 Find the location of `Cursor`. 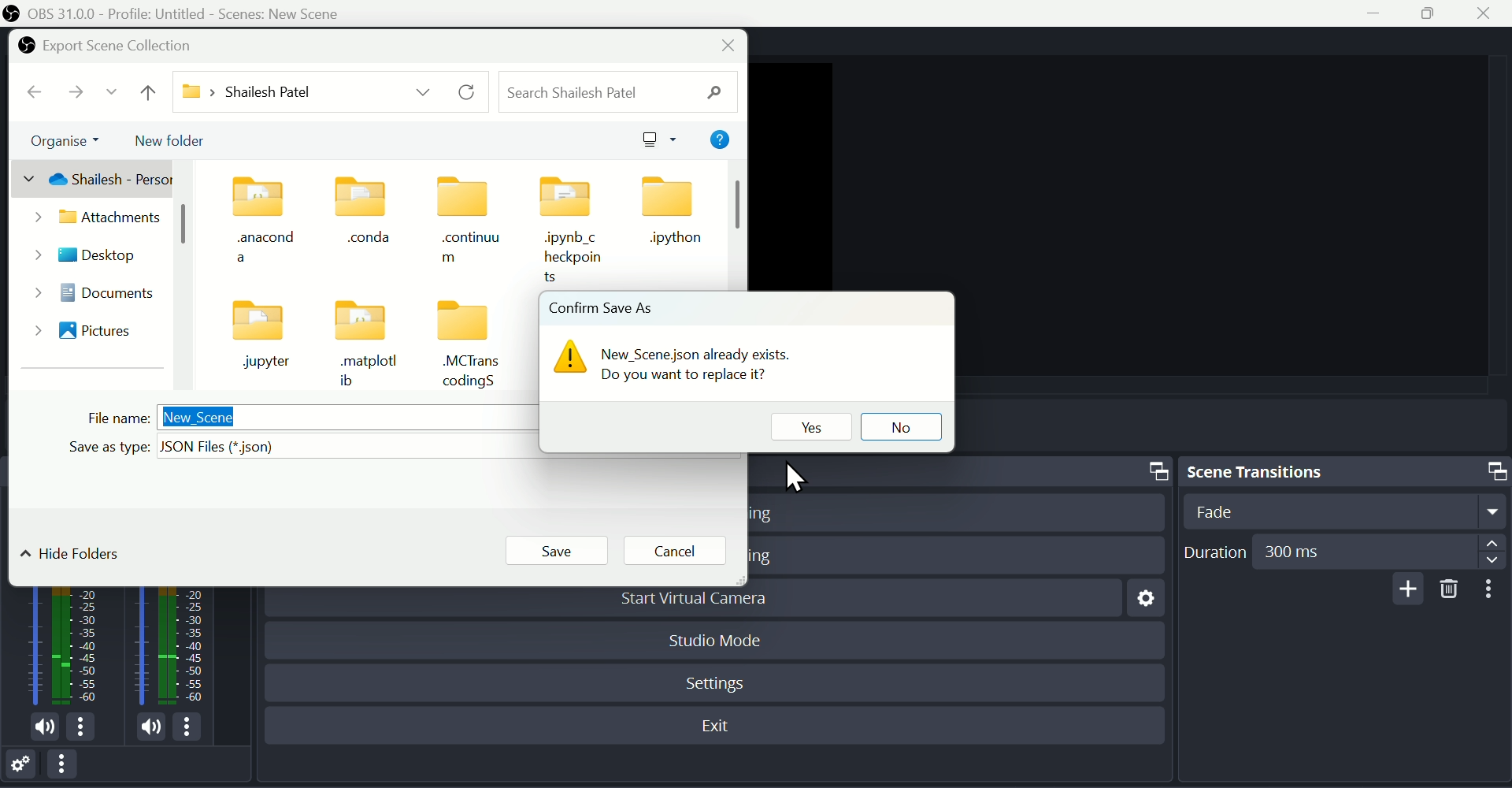

Cursor is located at coordinates (804, 481).